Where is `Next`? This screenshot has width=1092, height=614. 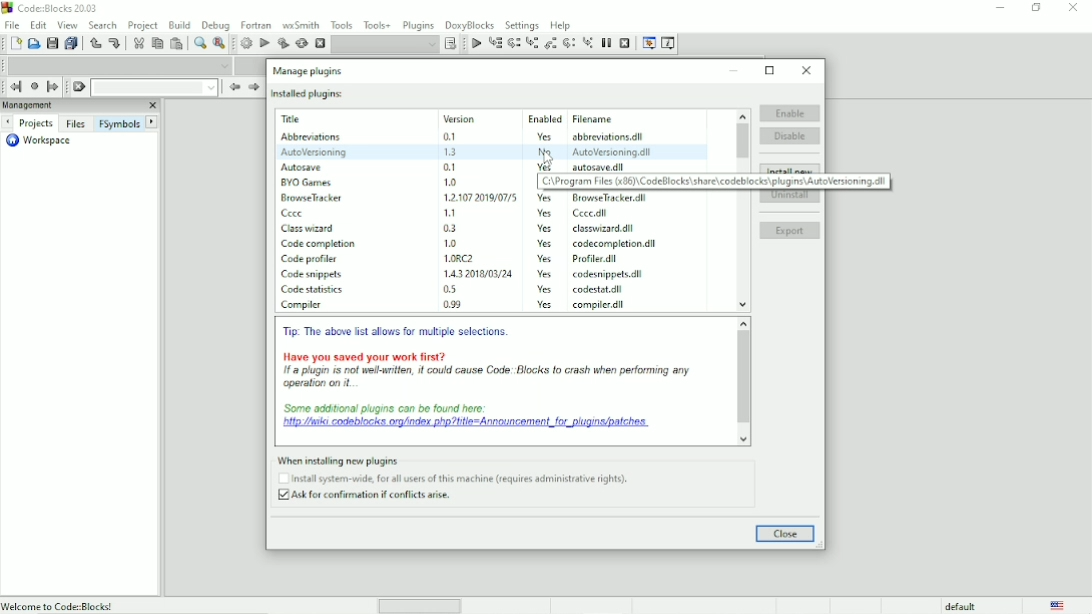
Next is located at coordinates (153, 121).